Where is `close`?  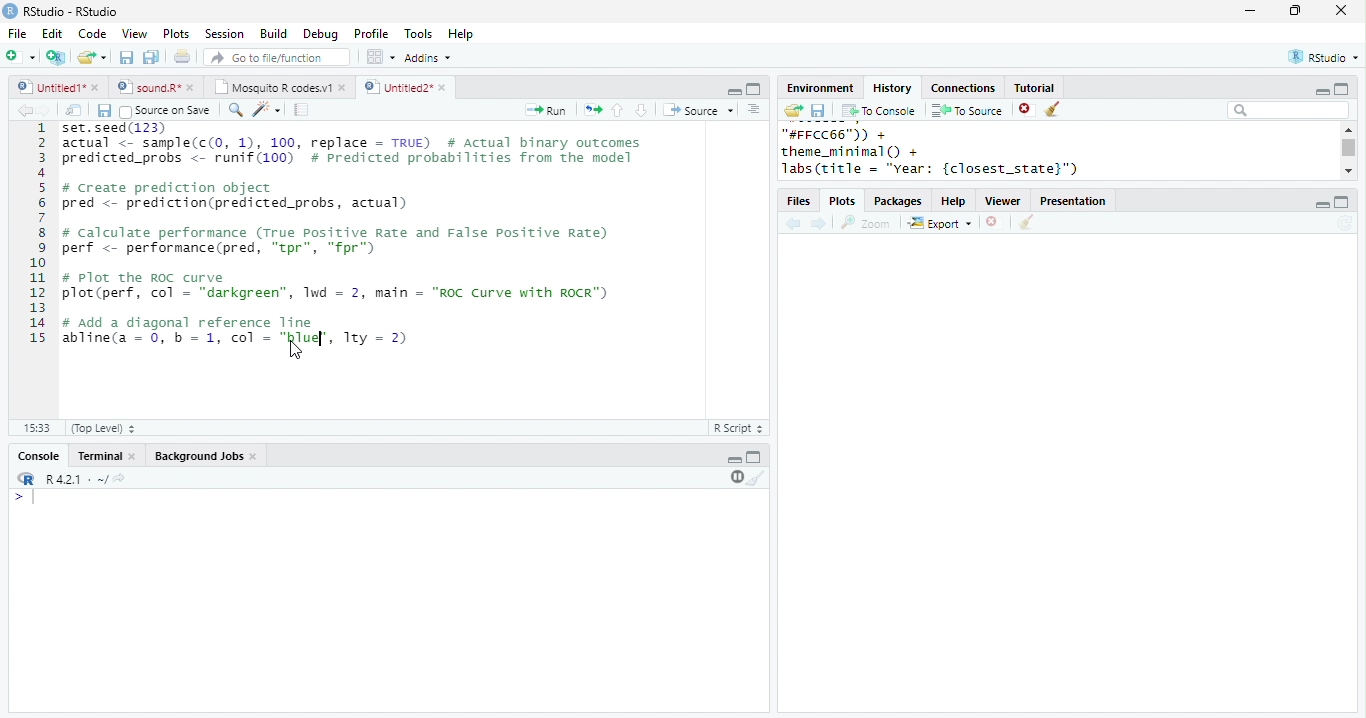
close is located at coordinates (194, 87).